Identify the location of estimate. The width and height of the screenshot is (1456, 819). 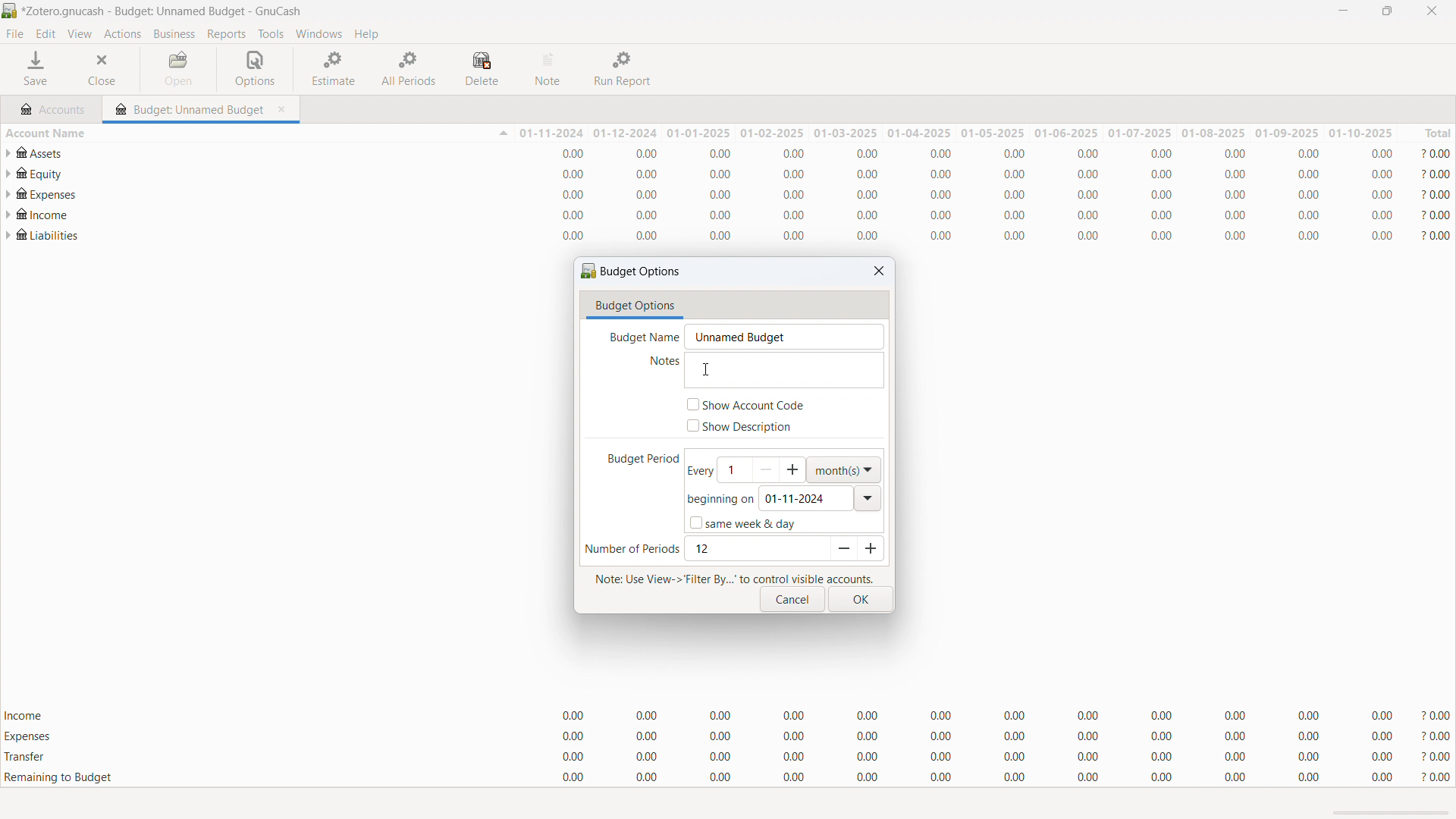
(335, 67).